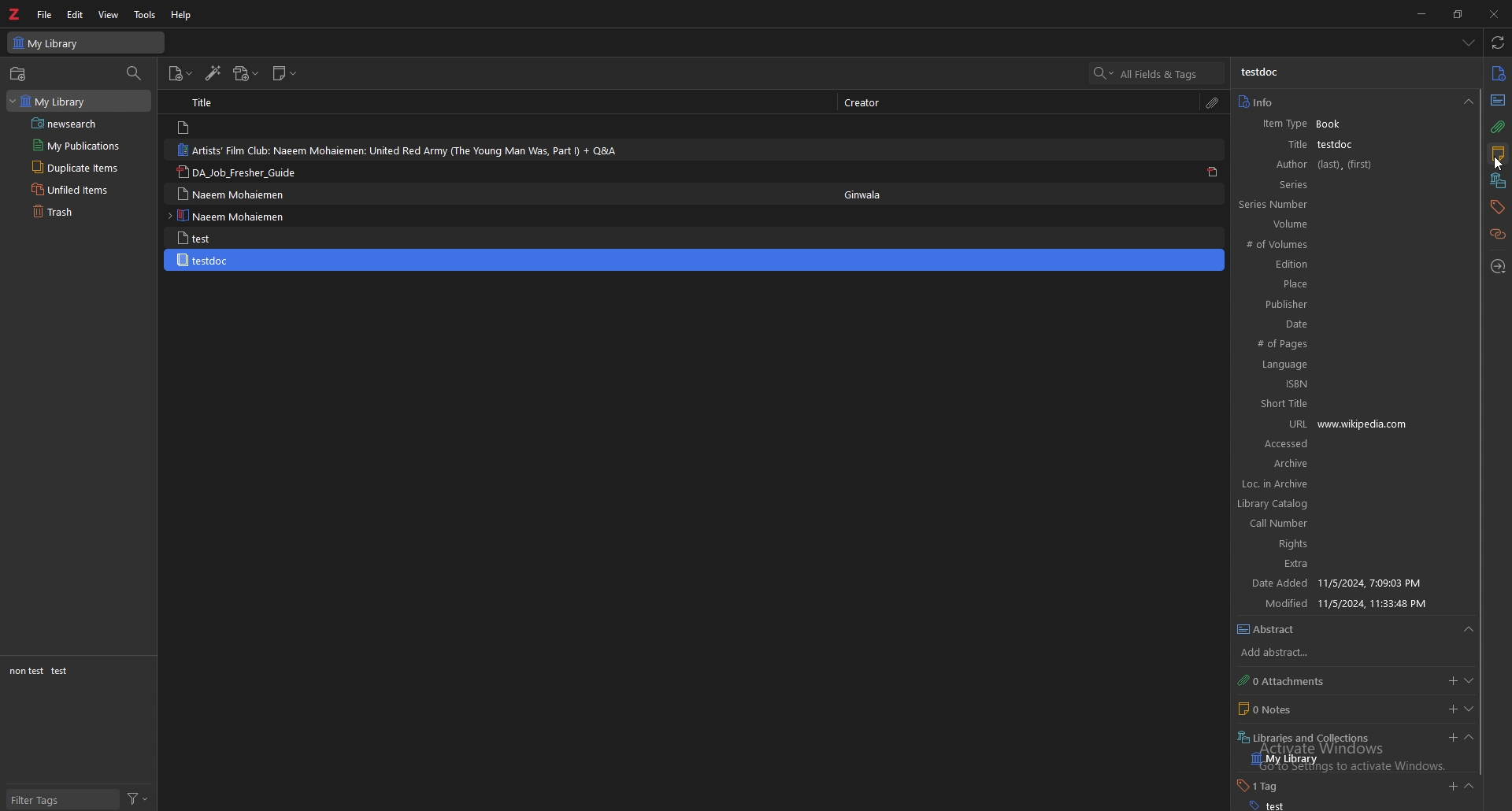 The width and height of the screenshot is (1512, 811). I want to click on naeem mohaiemen, so click(231, 216).